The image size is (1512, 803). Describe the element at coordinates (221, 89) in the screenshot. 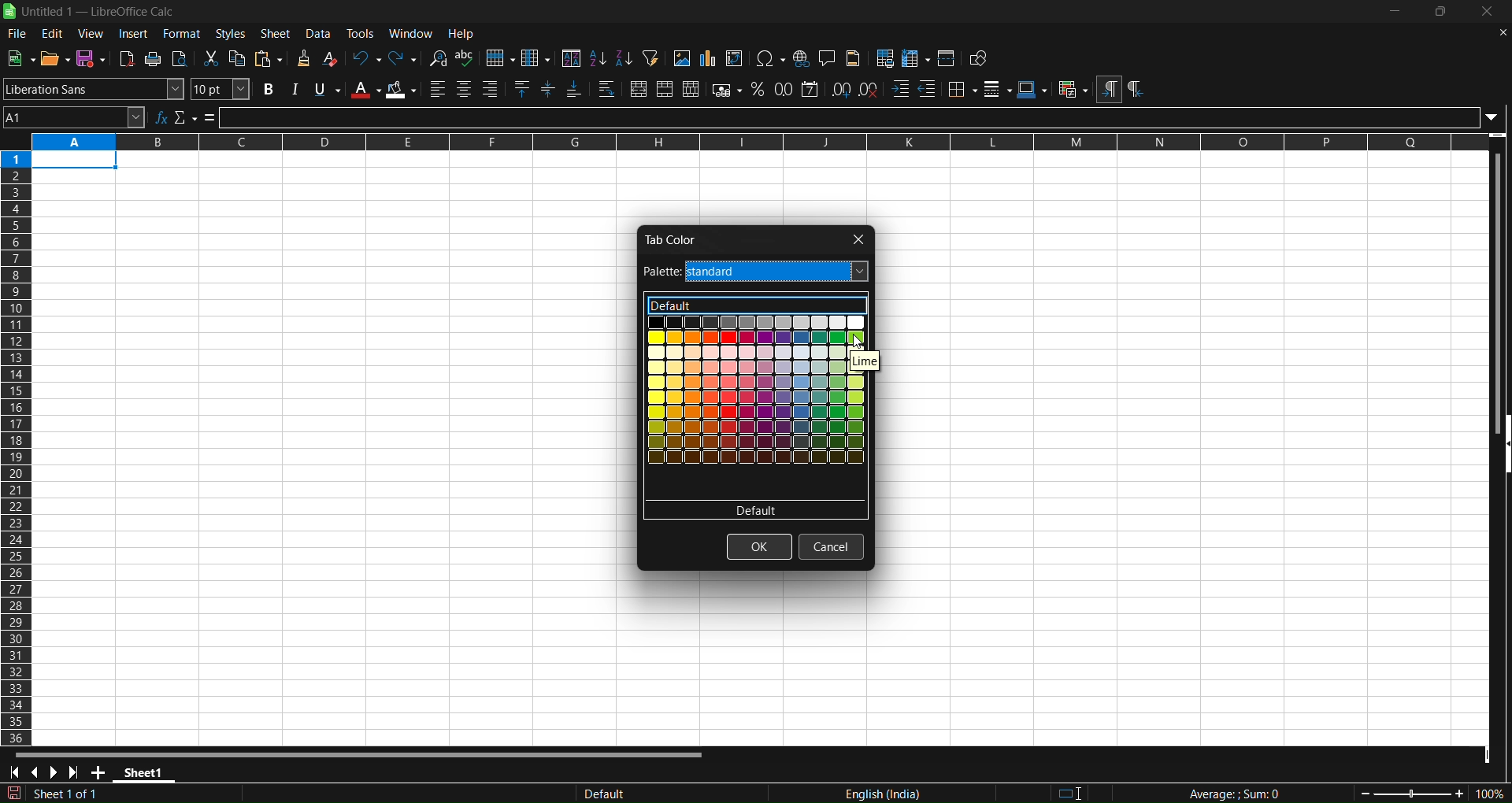

I see `font size` at that location.